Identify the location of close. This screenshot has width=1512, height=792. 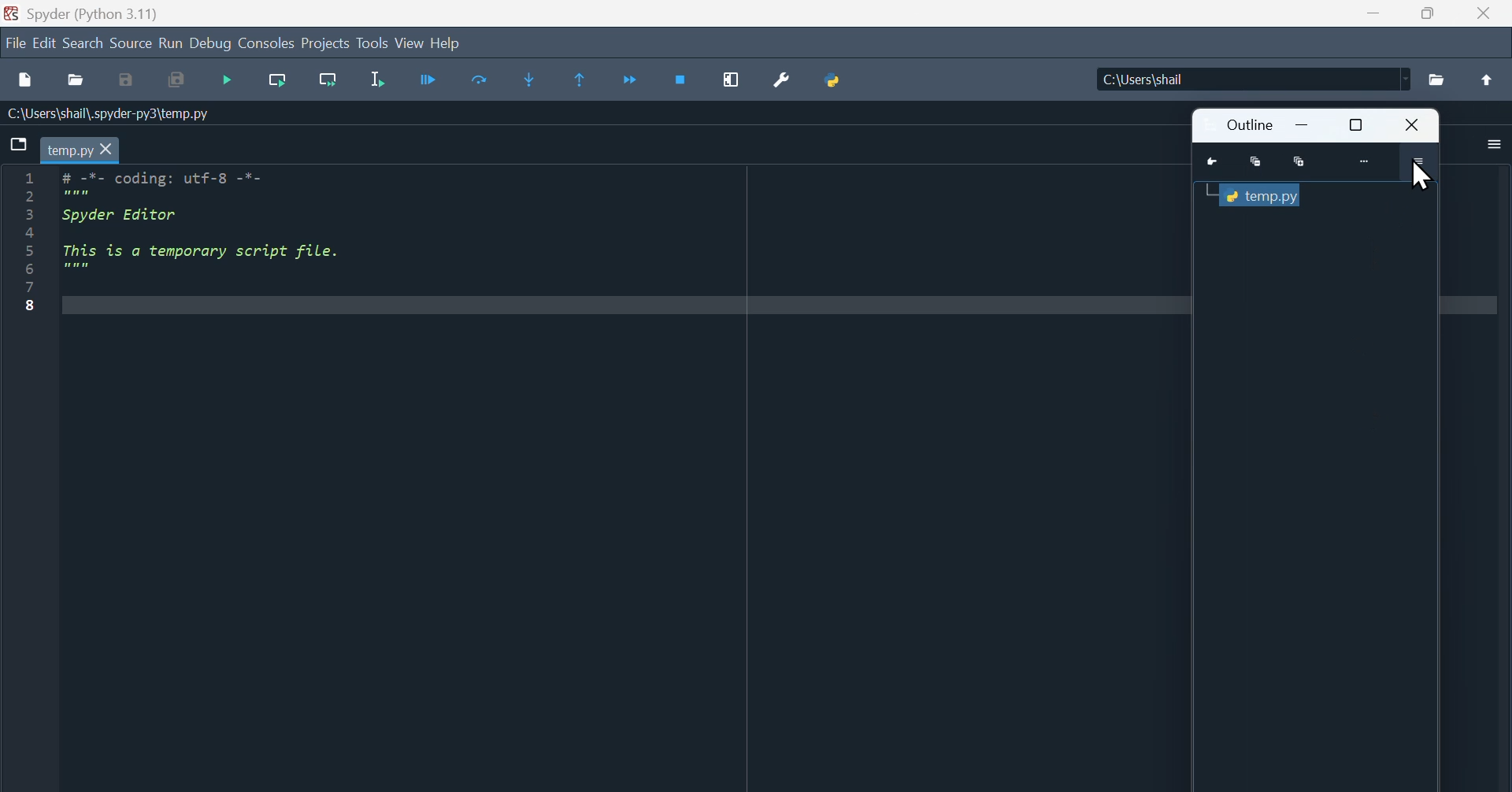
(1483, 13).